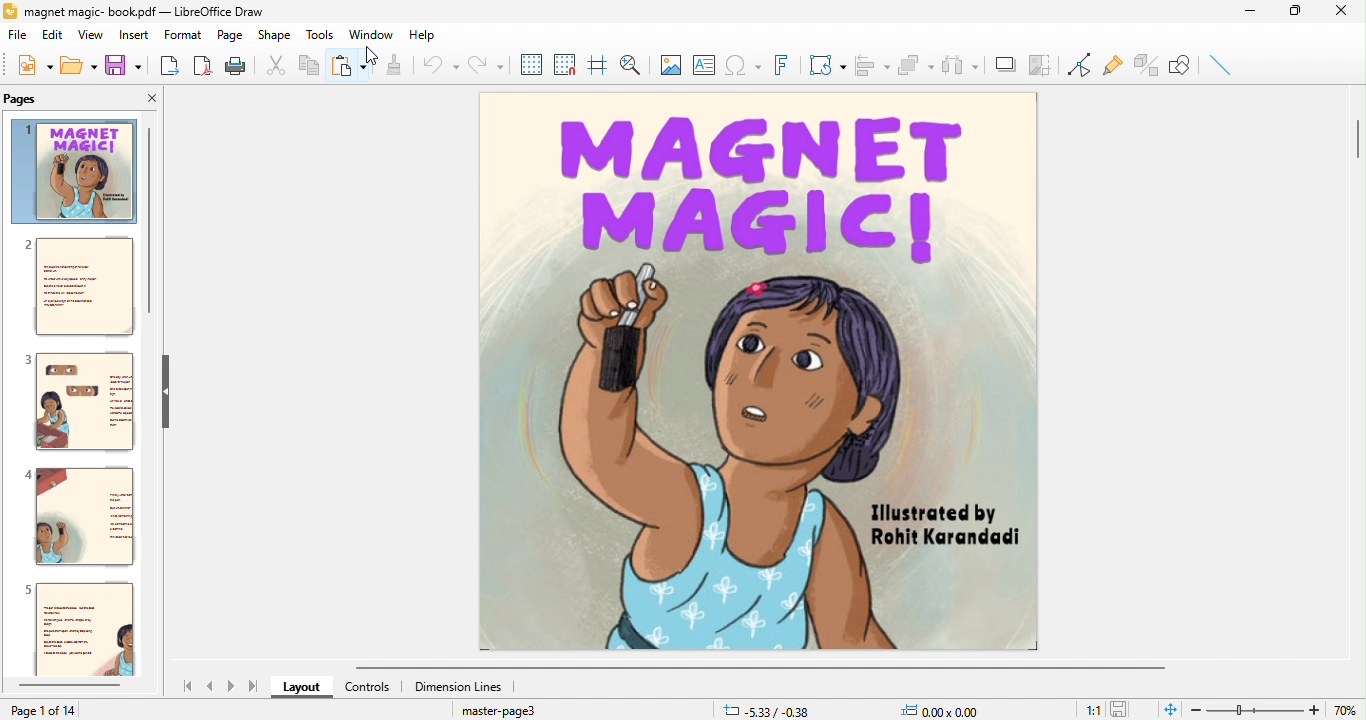 This screenshot has width=1366, height=720. Describe the element at coordinates (368, 689) in the screenshot. I see `controls` at that location.